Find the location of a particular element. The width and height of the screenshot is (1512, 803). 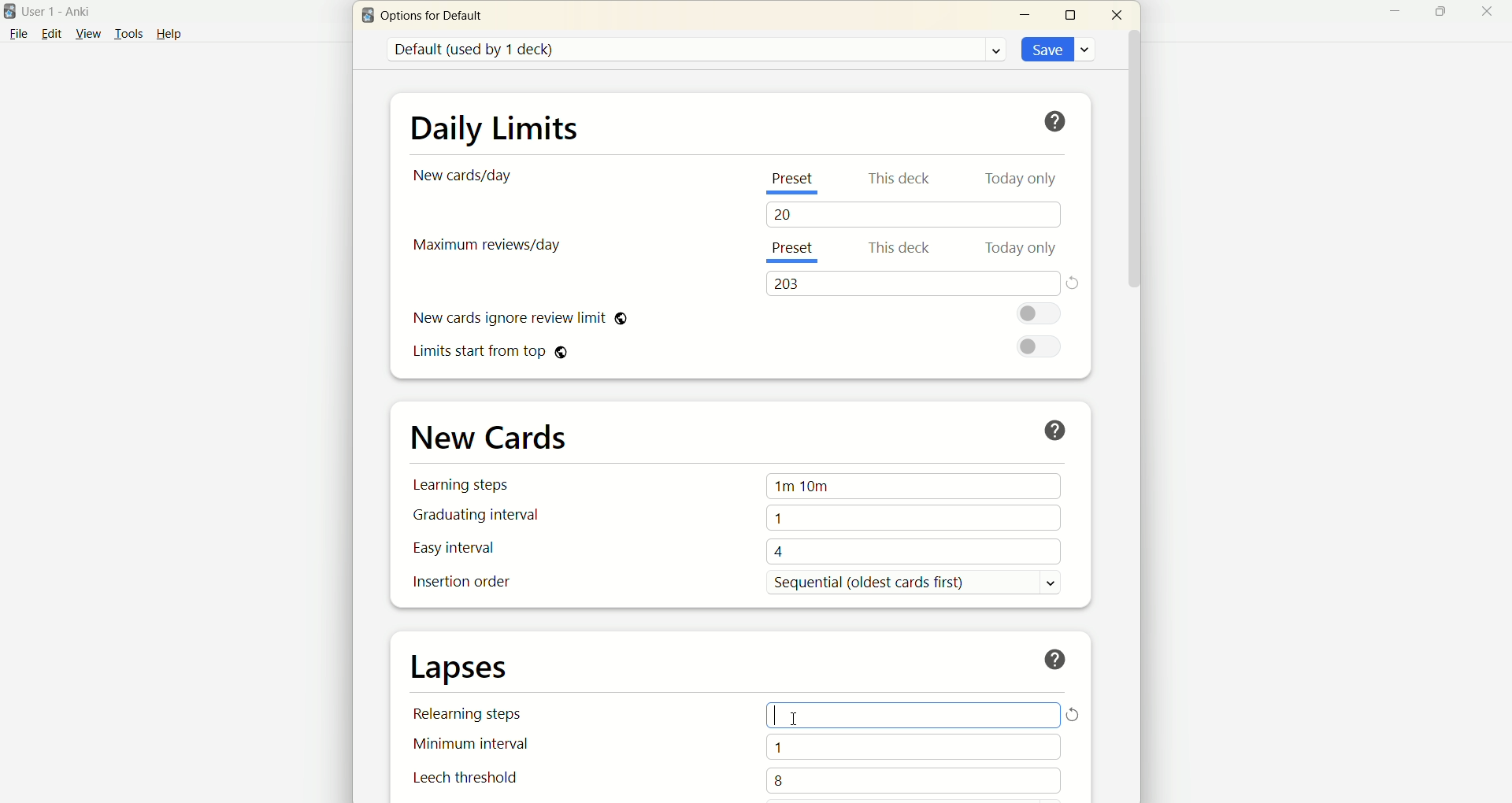

minimum interval is located at coordinates (476, 748).